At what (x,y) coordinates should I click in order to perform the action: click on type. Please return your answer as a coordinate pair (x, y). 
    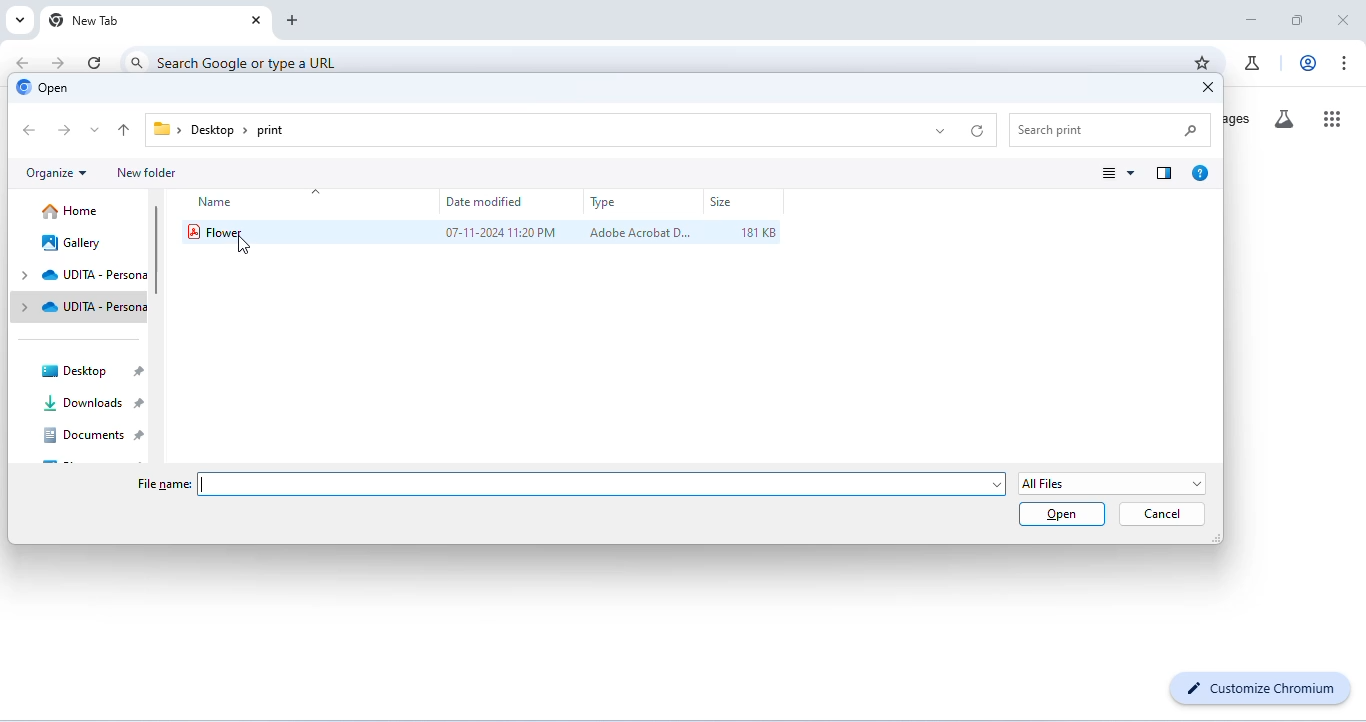
    Looking at the image, I should click on (602, 204).